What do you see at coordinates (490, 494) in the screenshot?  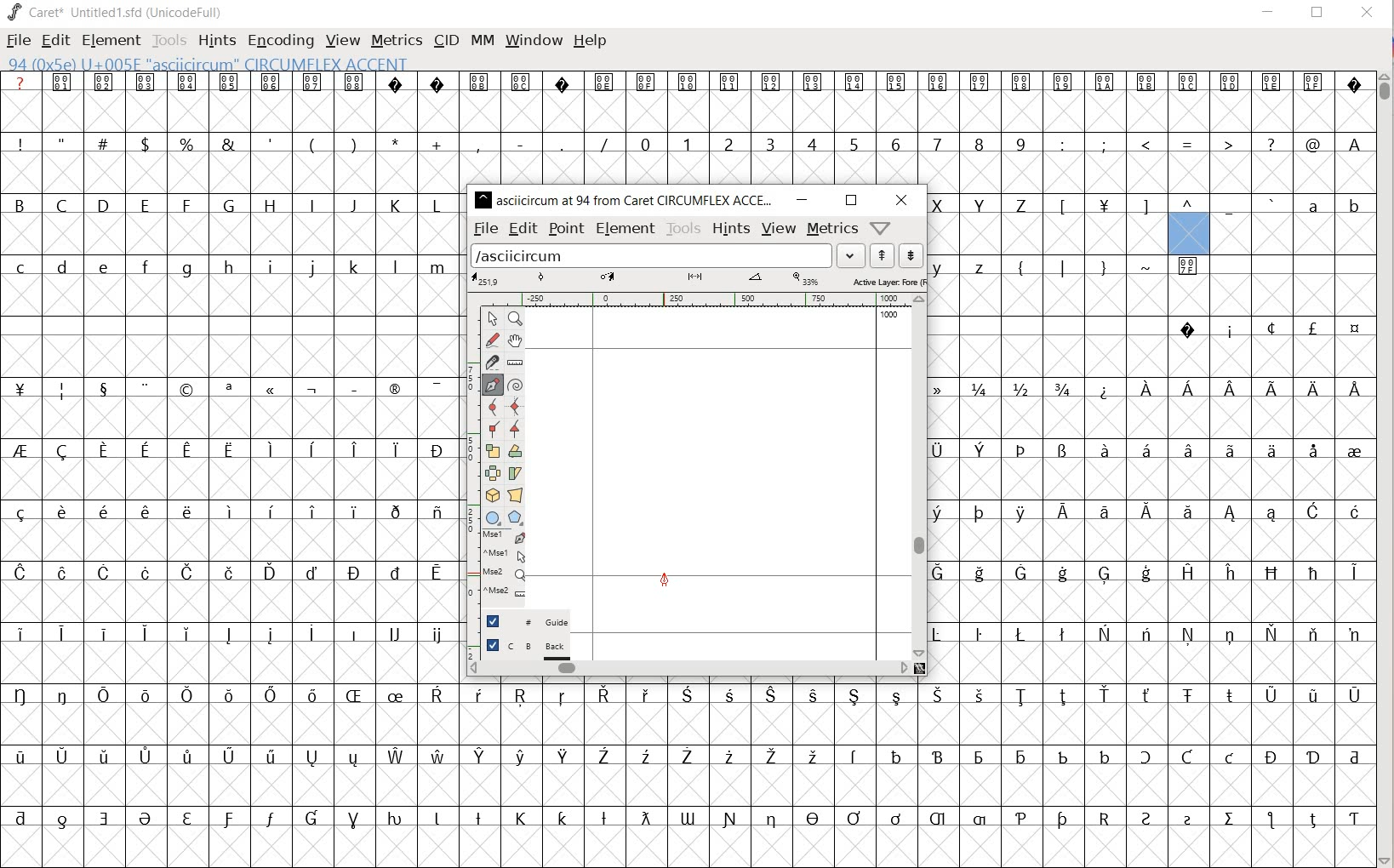 I see `rotate the selection in 3D and project back to plane` at bounding box center [490, 494].